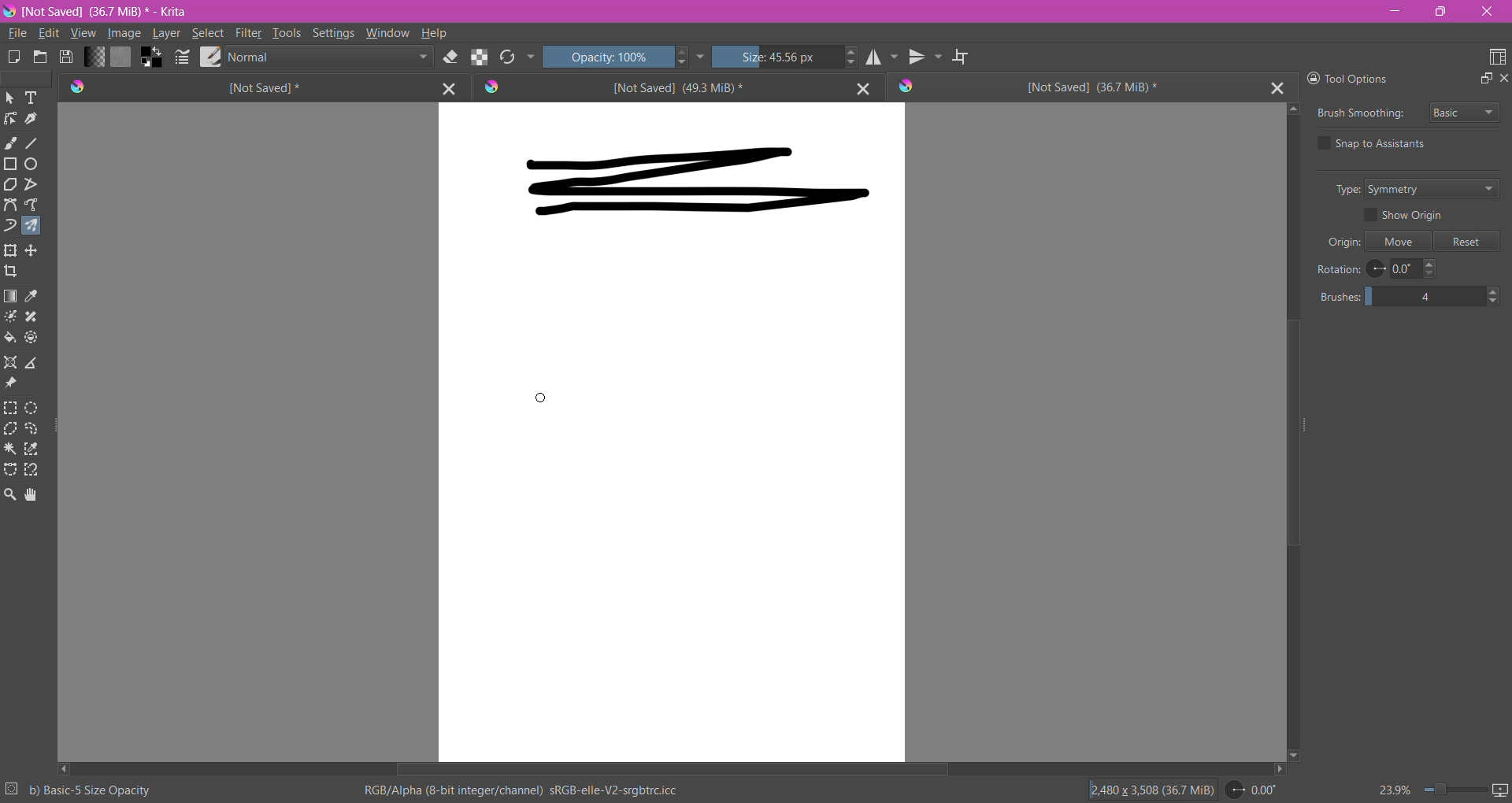 Image resolution: width=1512 pixels, height=803 pixels. Describe the element at coordinates (124, 35) in the screenshot. I see `Image` at that location.